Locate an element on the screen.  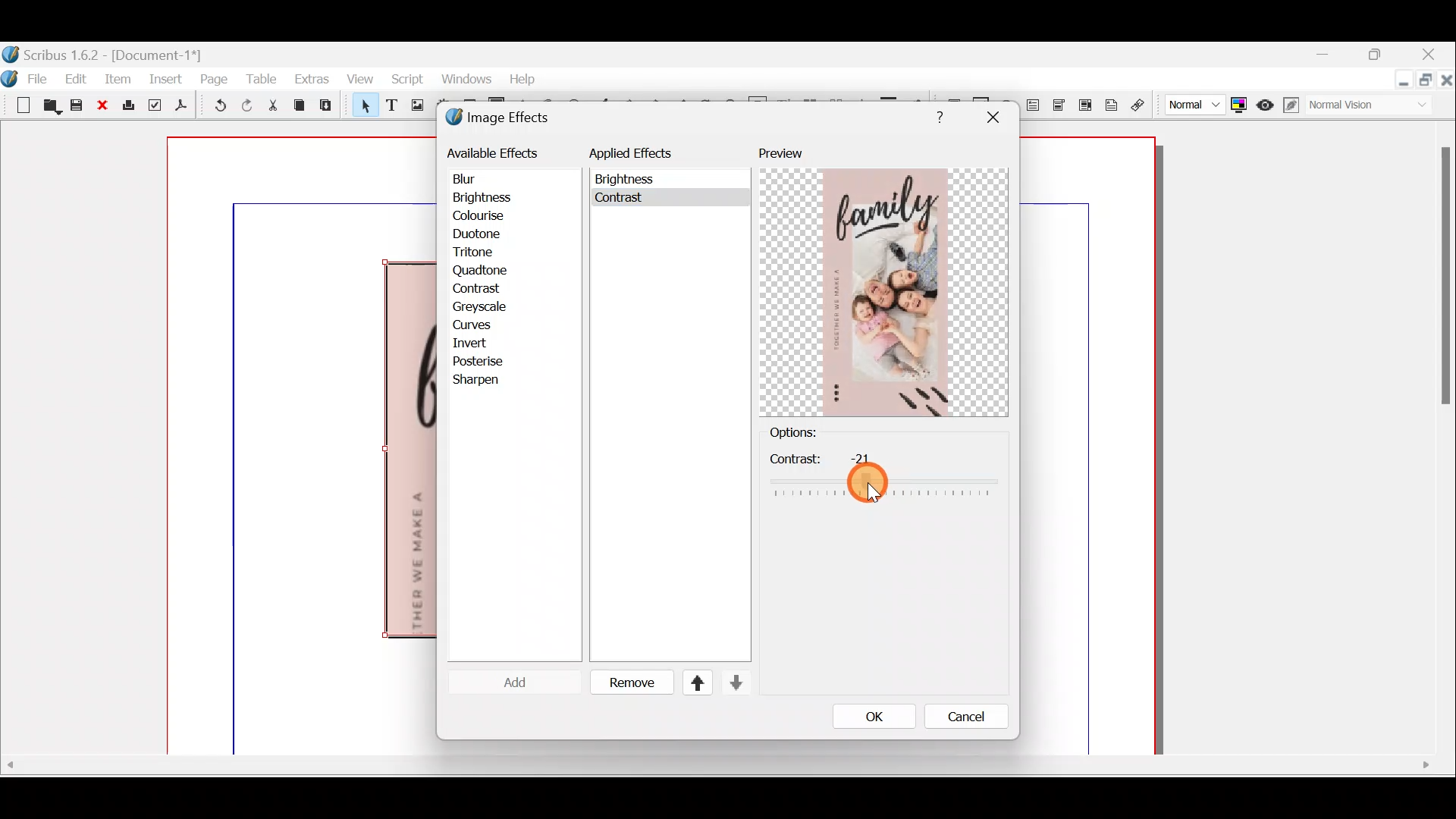
Open is located at coordinates (49, 108).